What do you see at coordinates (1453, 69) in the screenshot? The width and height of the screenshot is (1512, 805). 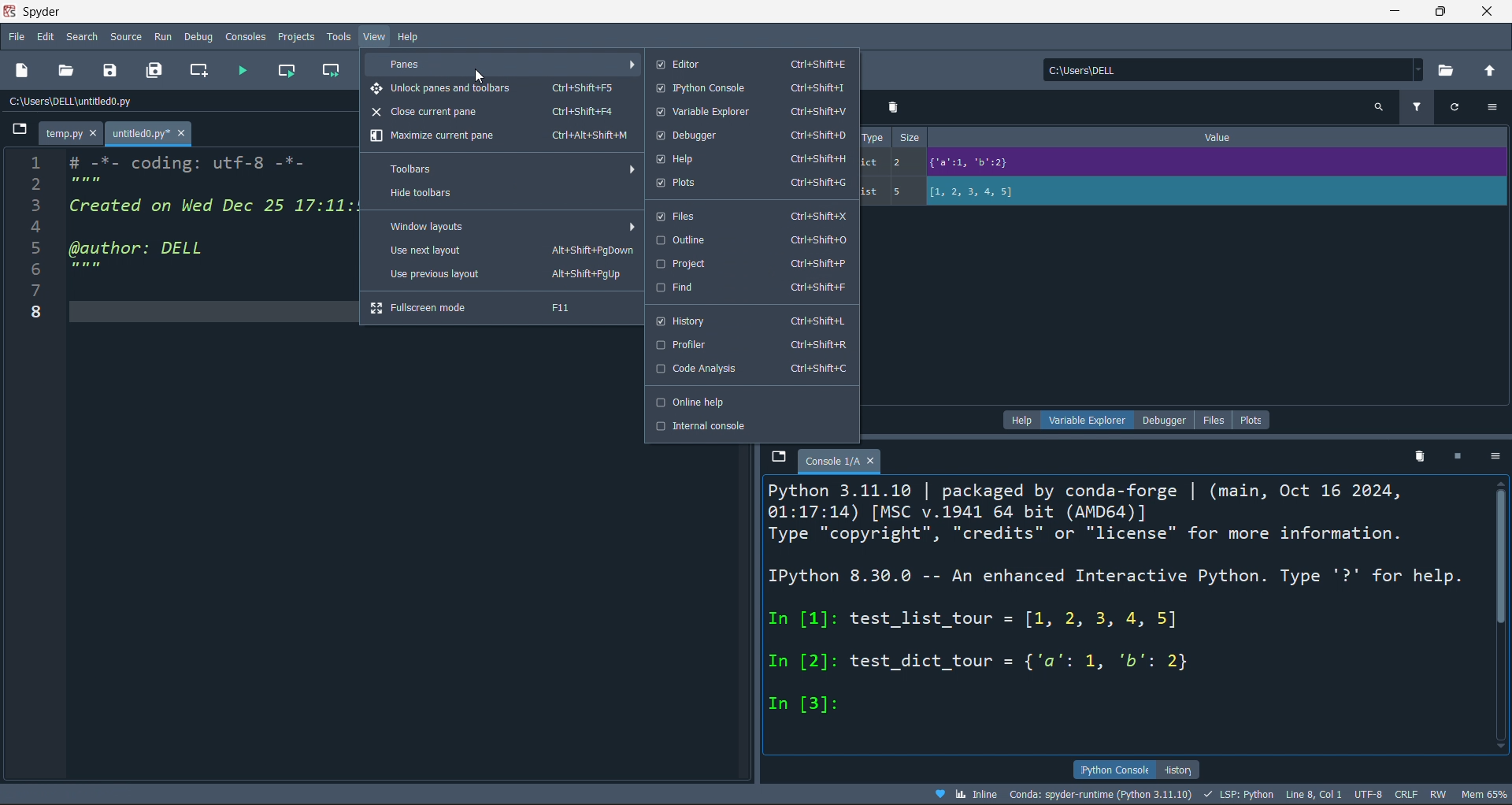 I see `open directory` at bounding box center [1453, 69].